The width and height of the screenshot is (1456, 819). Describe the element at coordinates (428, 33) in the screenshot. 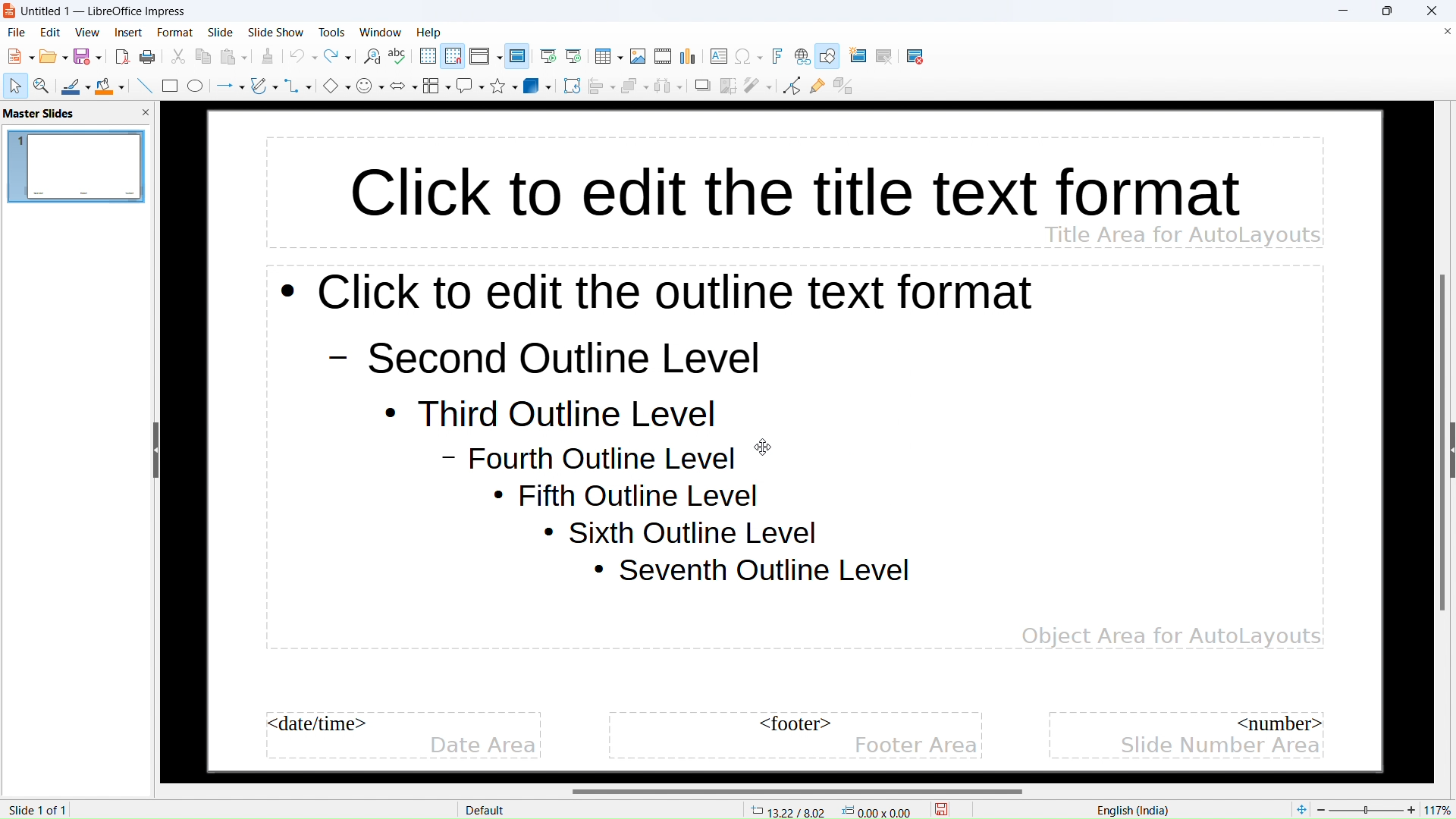

I see `help` at that location.